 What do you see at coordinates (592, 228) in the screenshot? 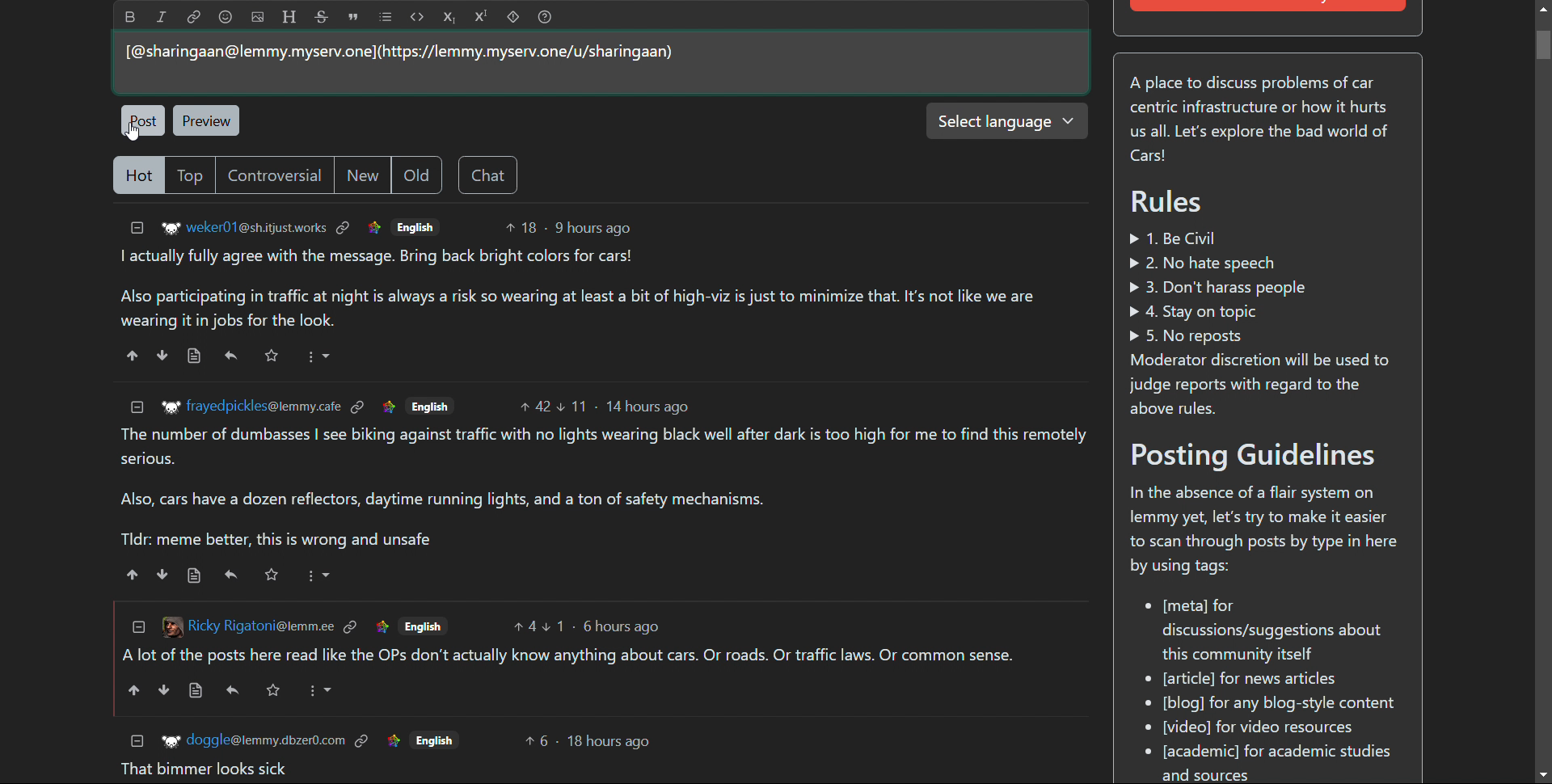
I see `9 hours ago` at bounding box center [592, 228].